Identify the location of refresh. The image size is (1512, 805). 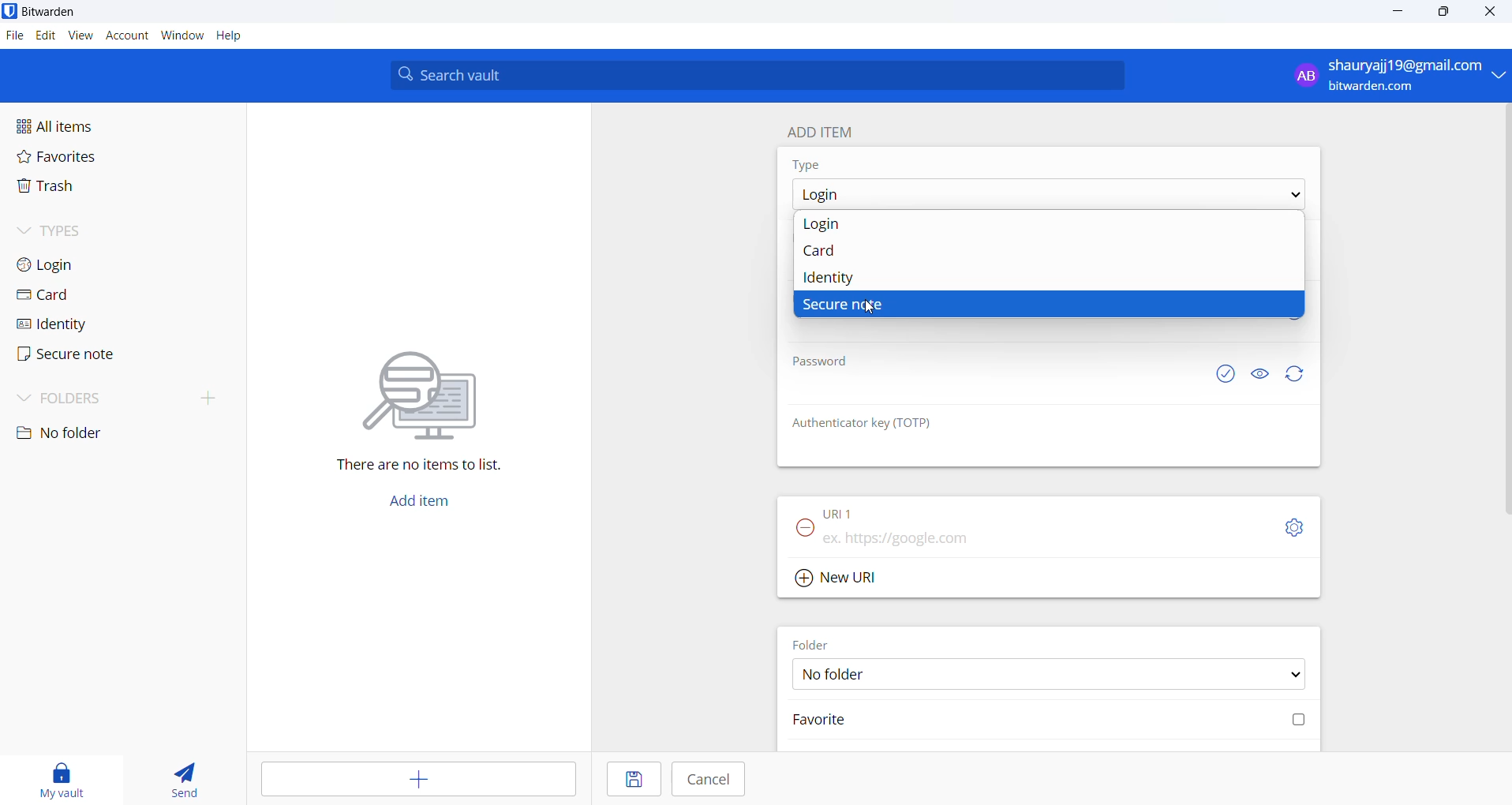
(1298, 375).